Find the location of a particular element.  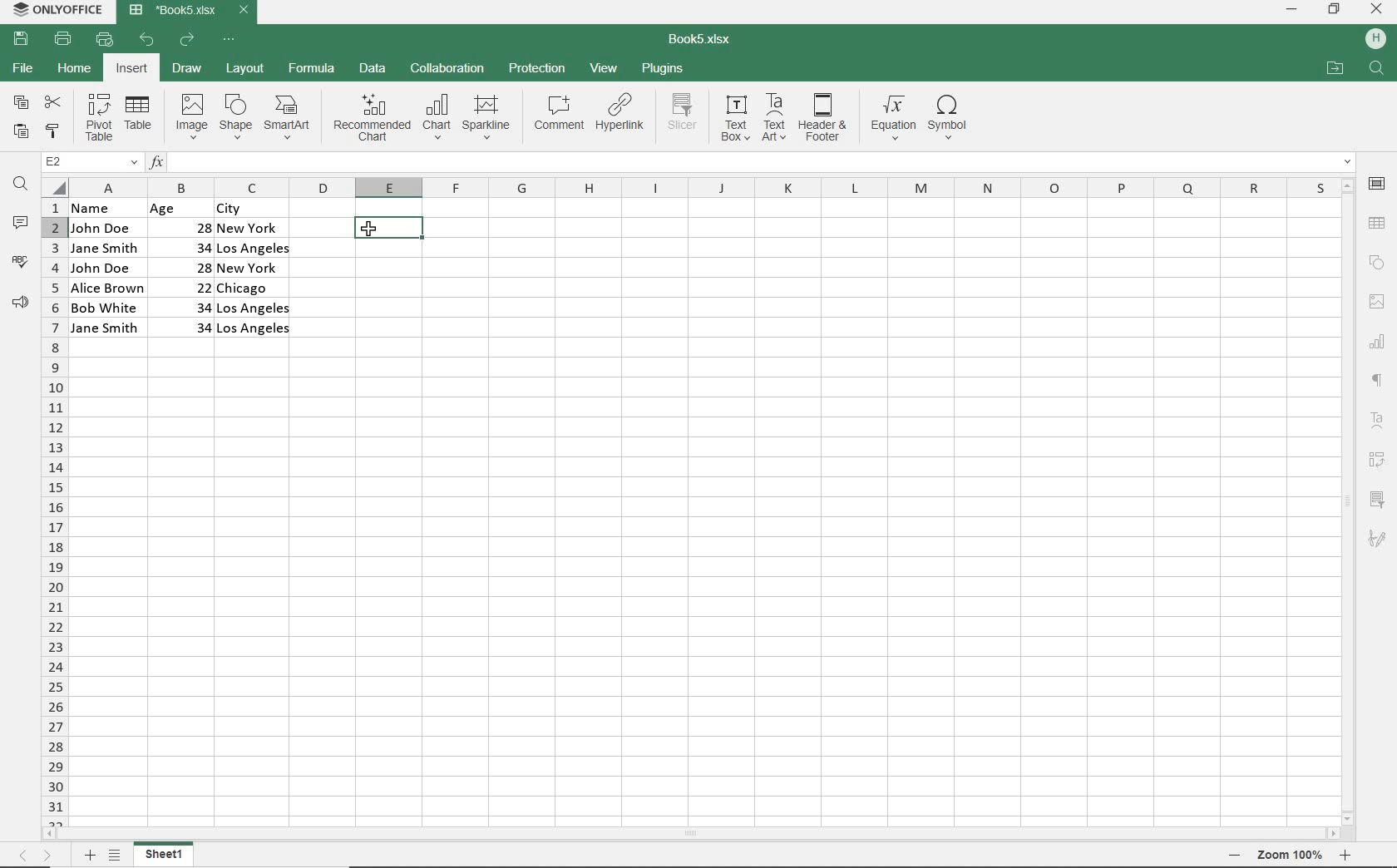

zoom out is located at coordinates (1236, 855).